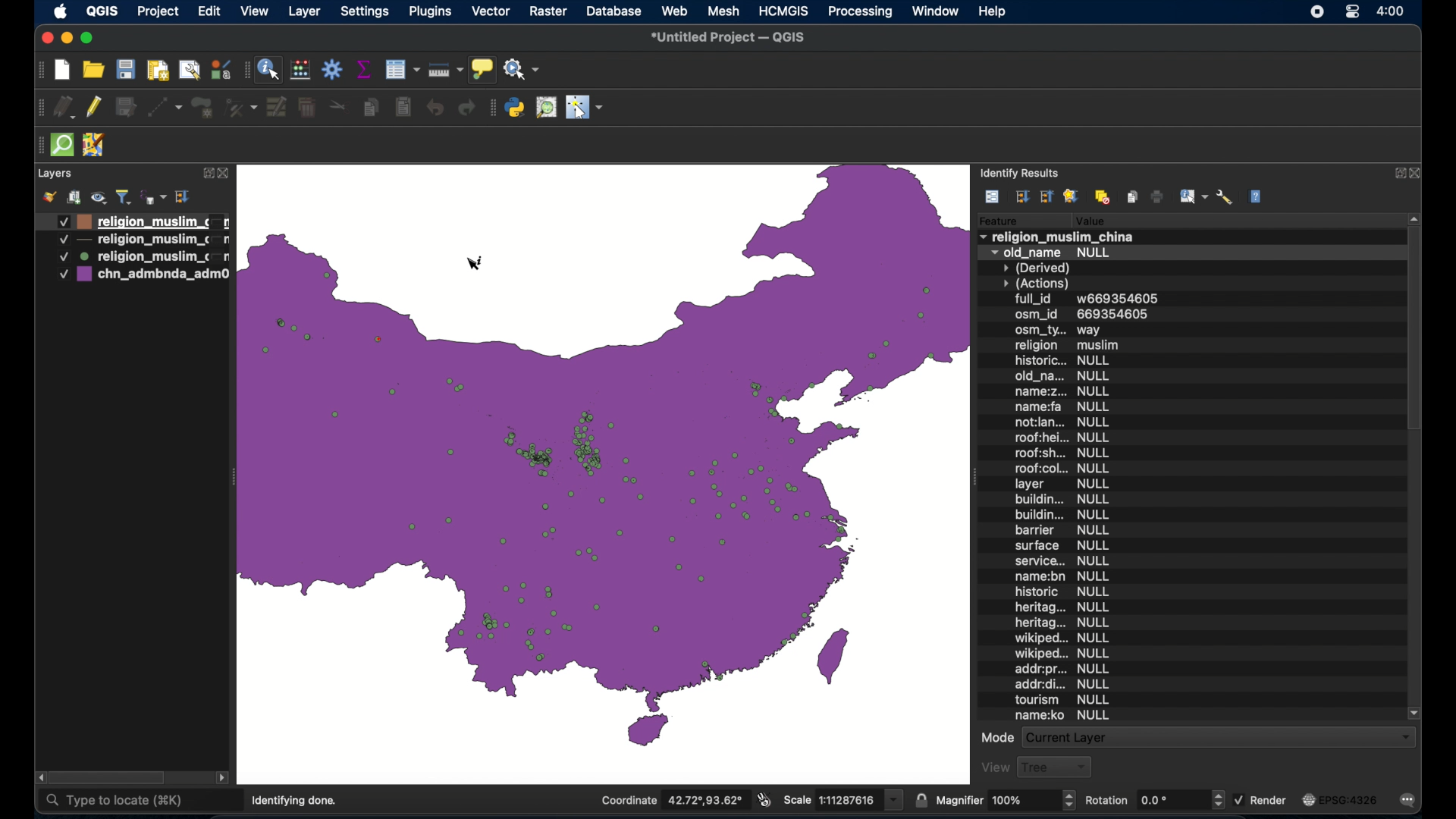  What do you see at coordinates (606, 473) in the screenshot?
I see `zoomed in boundary map of china with point data` at bounding box center [606, 473].